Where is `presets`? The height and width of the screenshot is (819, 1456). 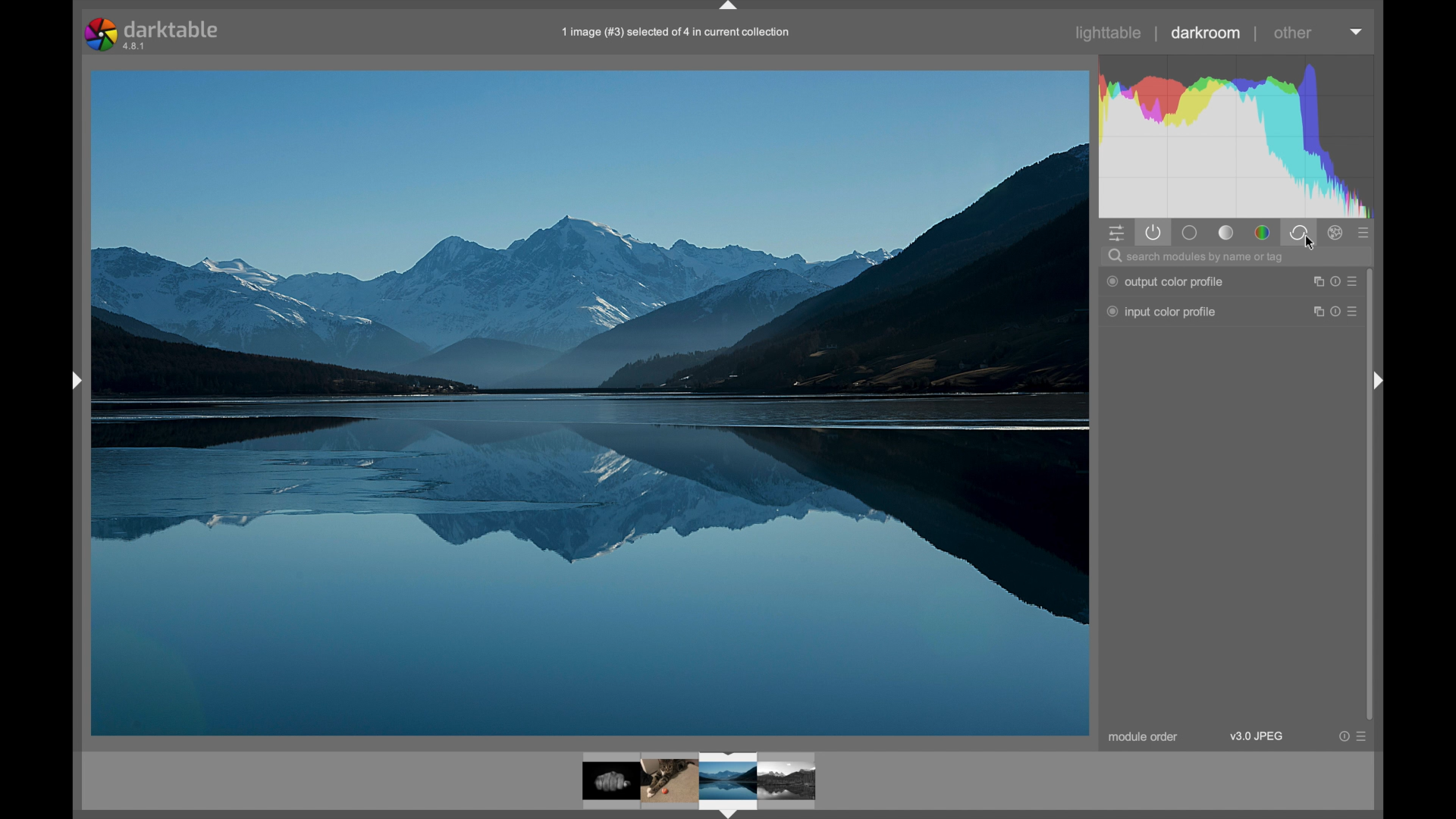
presets is located at coordinates (1364, 232).